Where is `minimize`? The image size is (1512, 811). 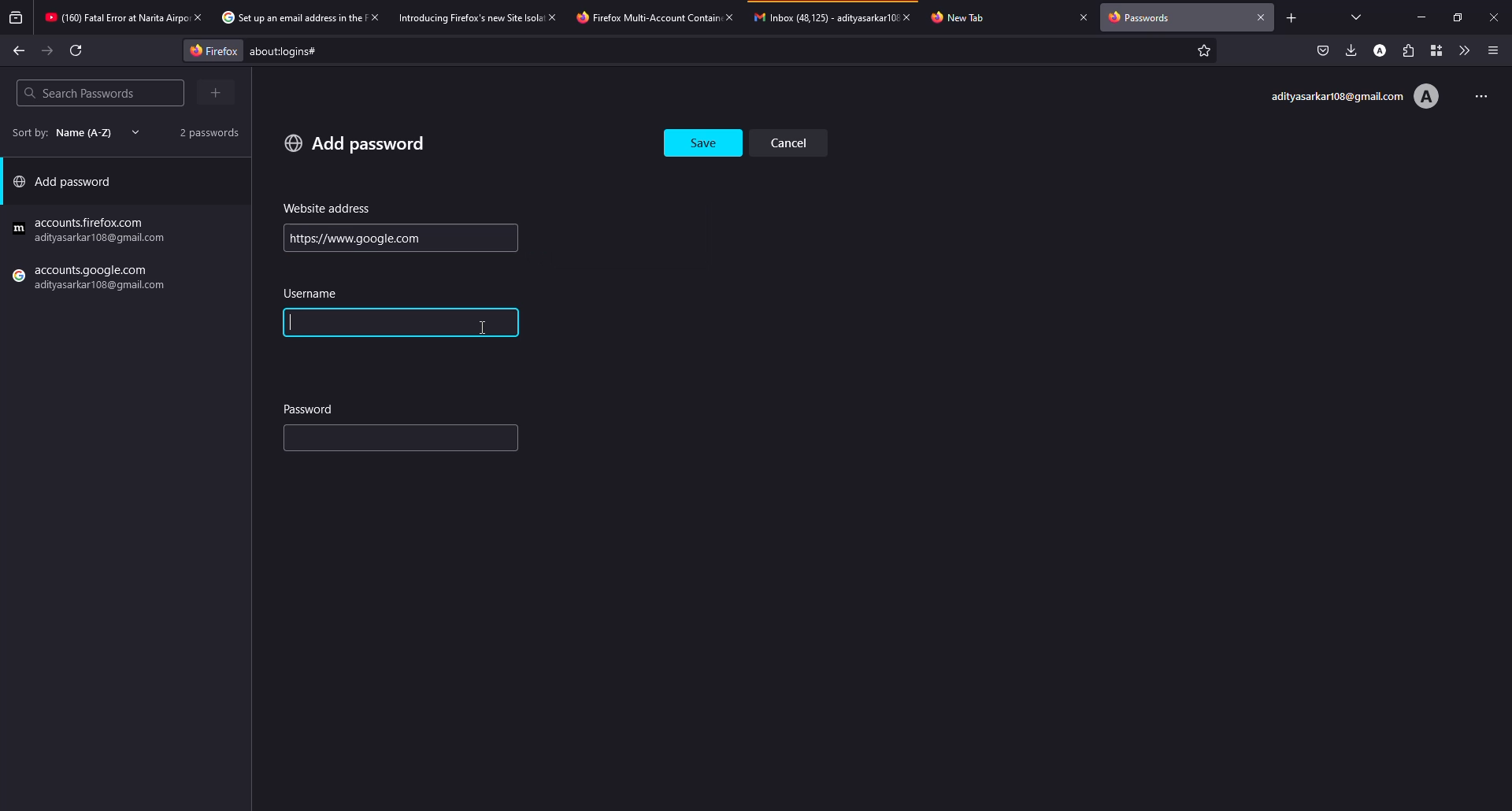
minimize is located at coordinates (1424, 17).